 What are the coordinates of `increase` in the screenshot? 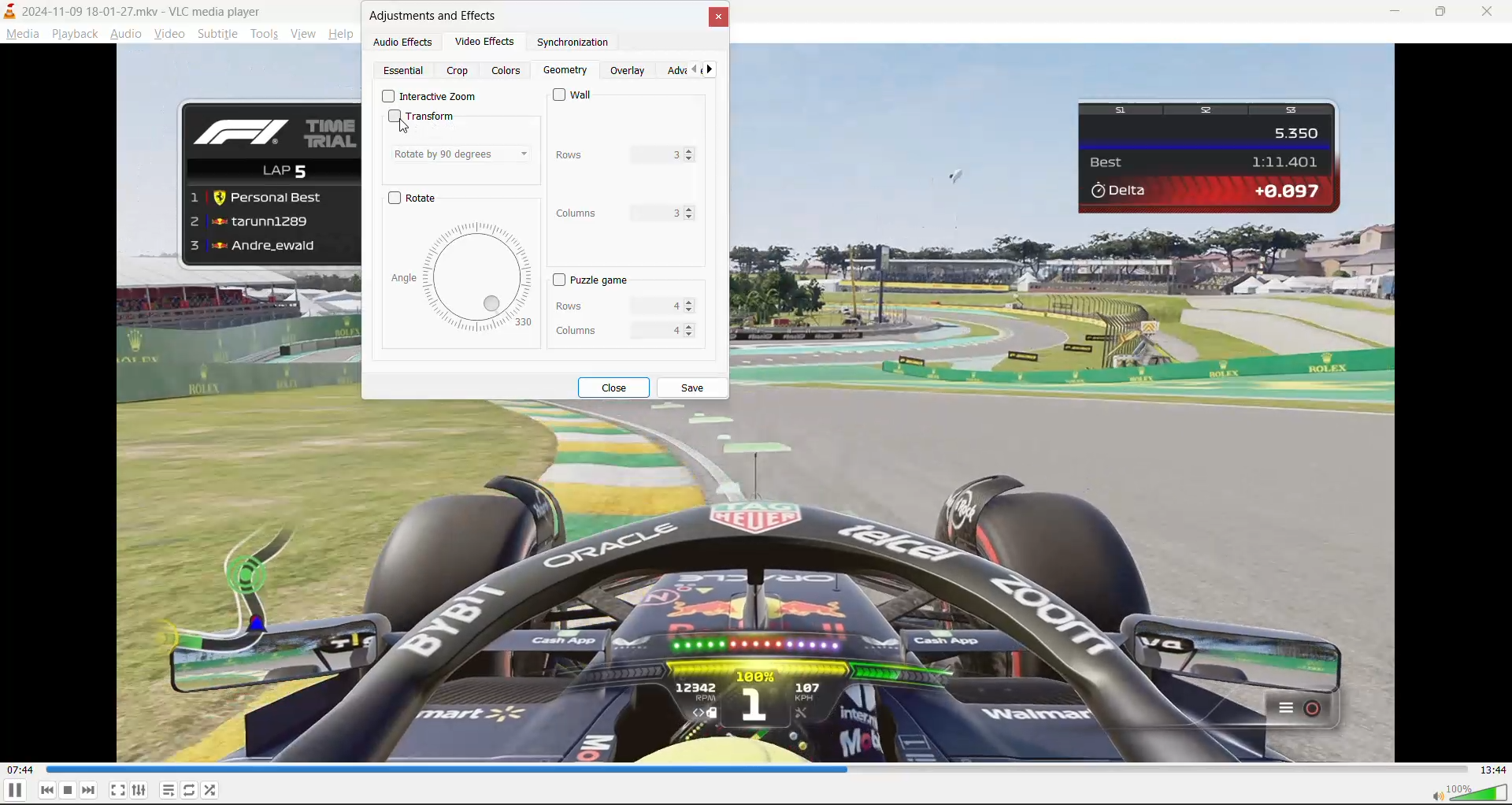 It's located at (689, 210).